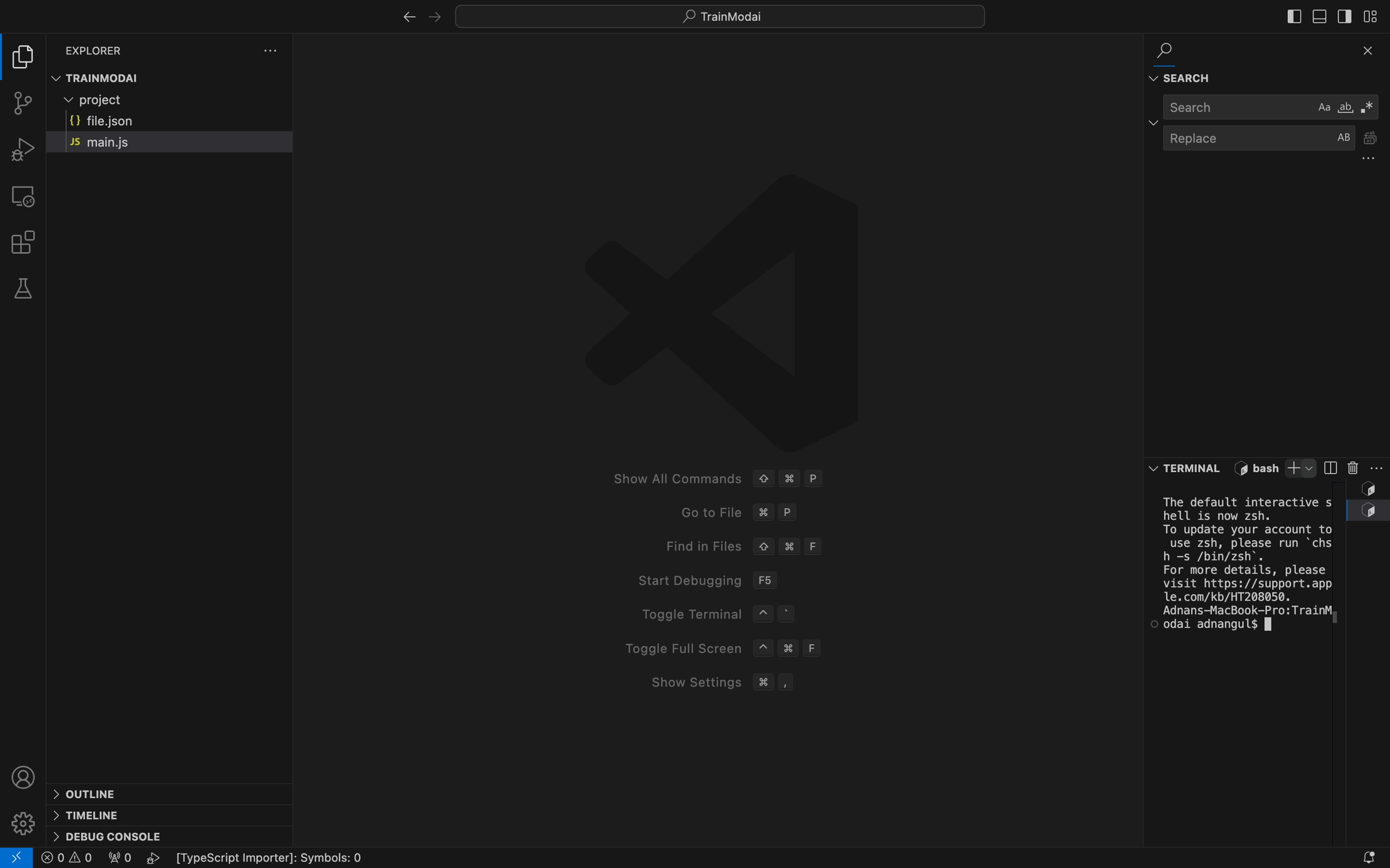 Image resolution: width=1390 pixels, height=868 pixels. Describe the element at coordinates (1185, 63) in the screenshot. I see `find and replace` at that location.